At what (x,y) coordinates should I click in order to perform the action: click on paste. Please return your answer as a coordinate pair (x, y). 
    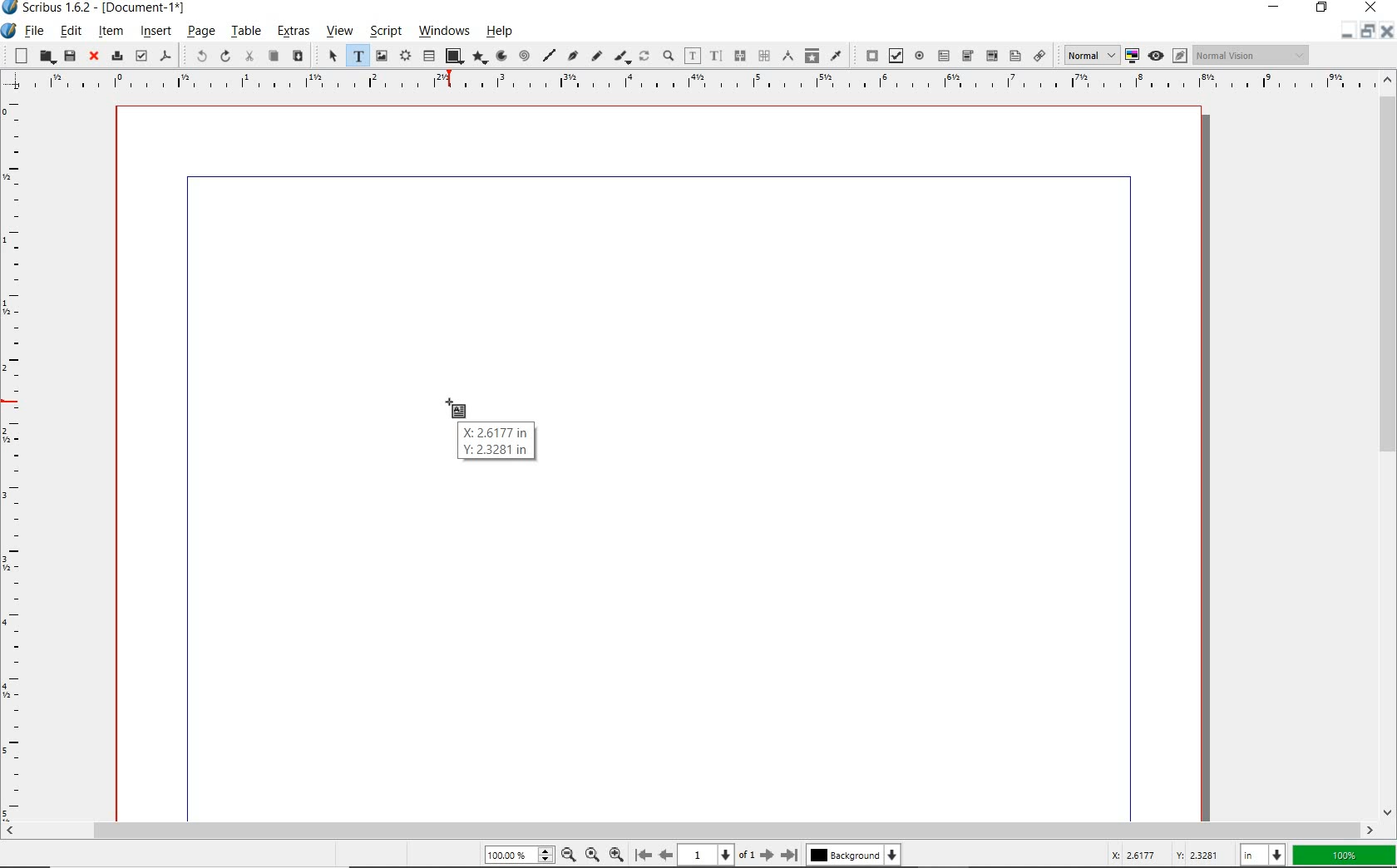
    Looking at the image, I should click on (299, 57).